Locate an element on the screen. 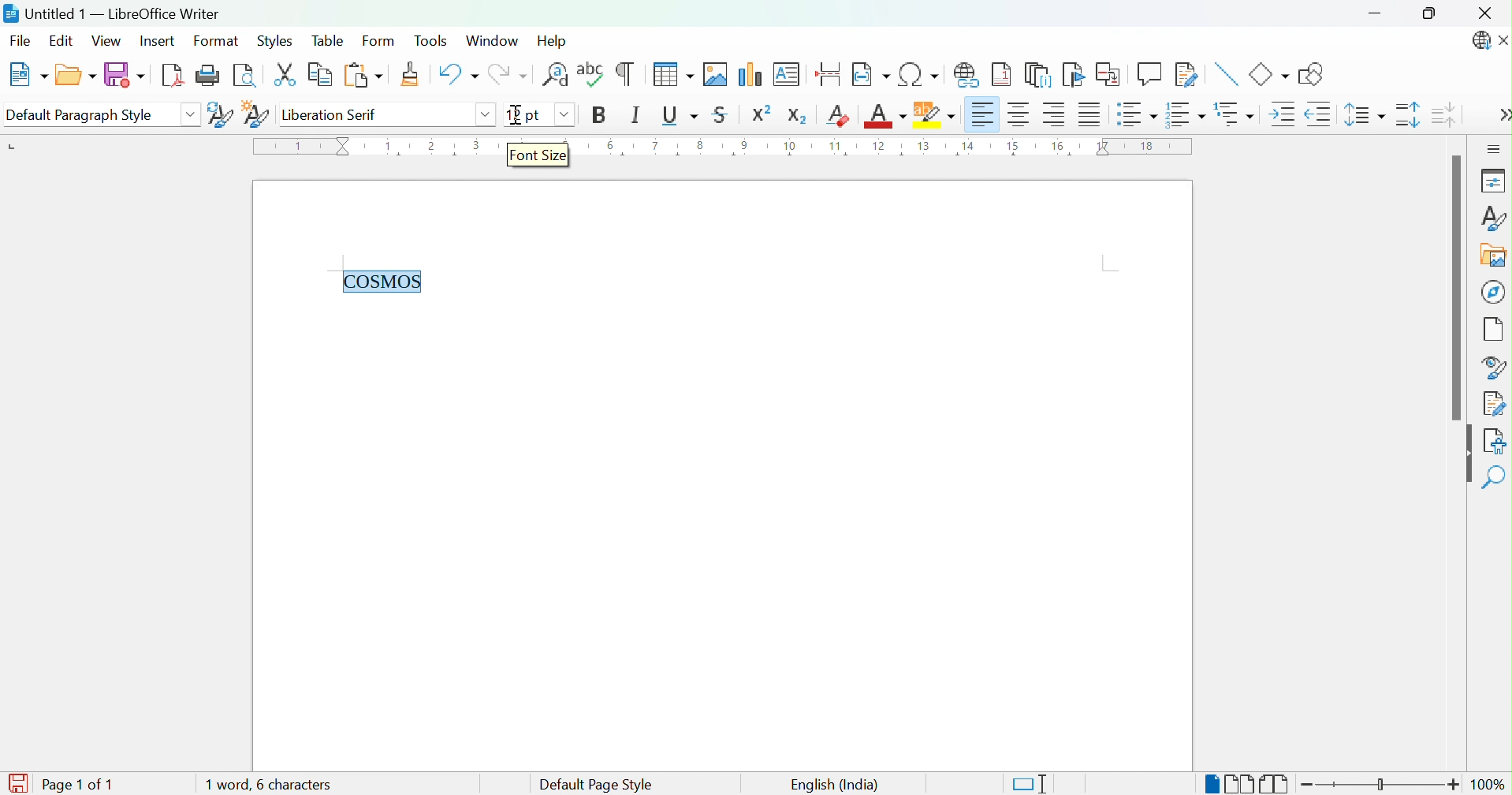 The width and height of the screenshot is (1512, 795). ruler is located at coordinates (376, 155).